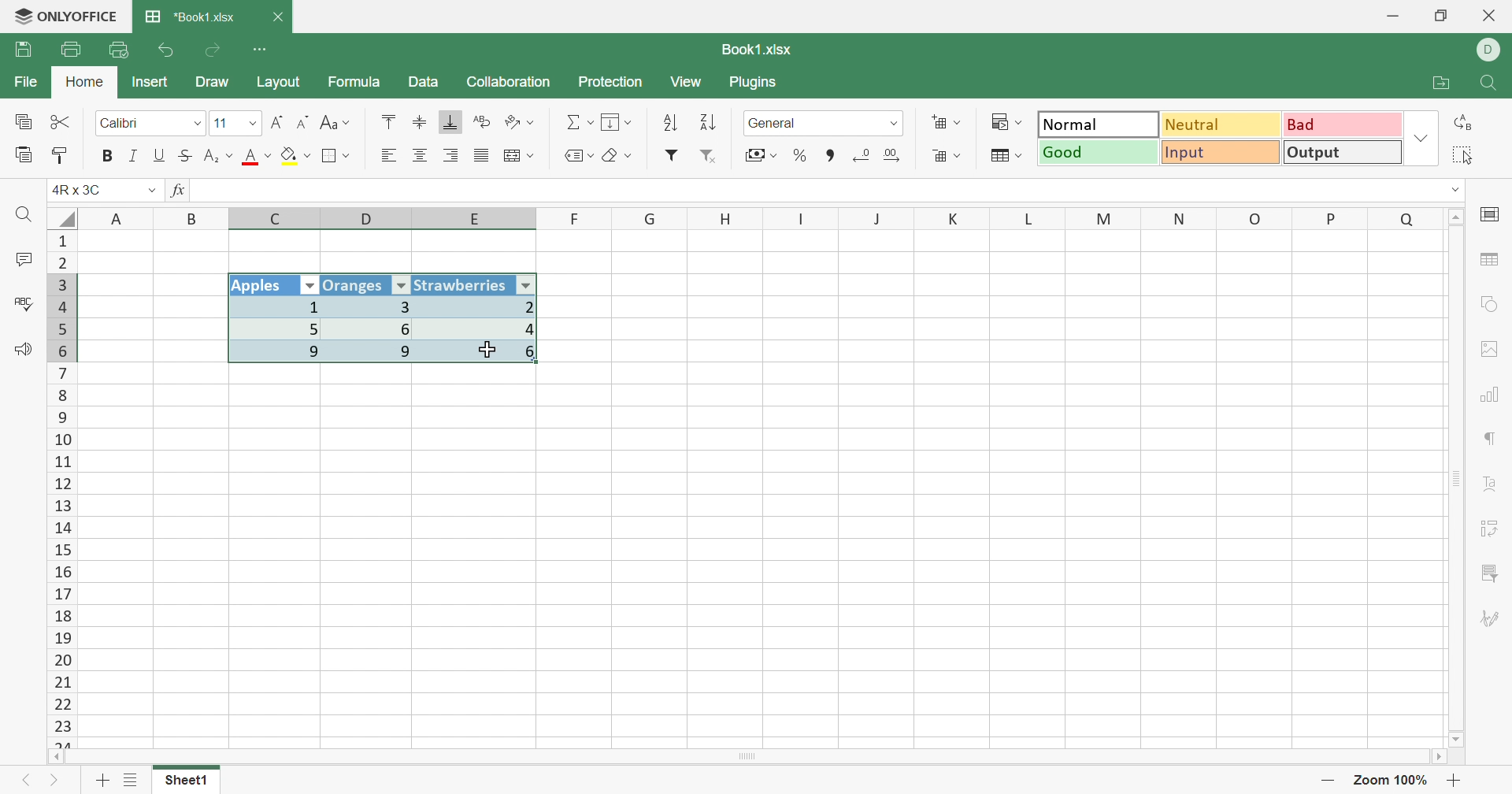  What do you see at coordinates (954, 220) in the screenshot?
I see `K` at bounding box center [954, 220].